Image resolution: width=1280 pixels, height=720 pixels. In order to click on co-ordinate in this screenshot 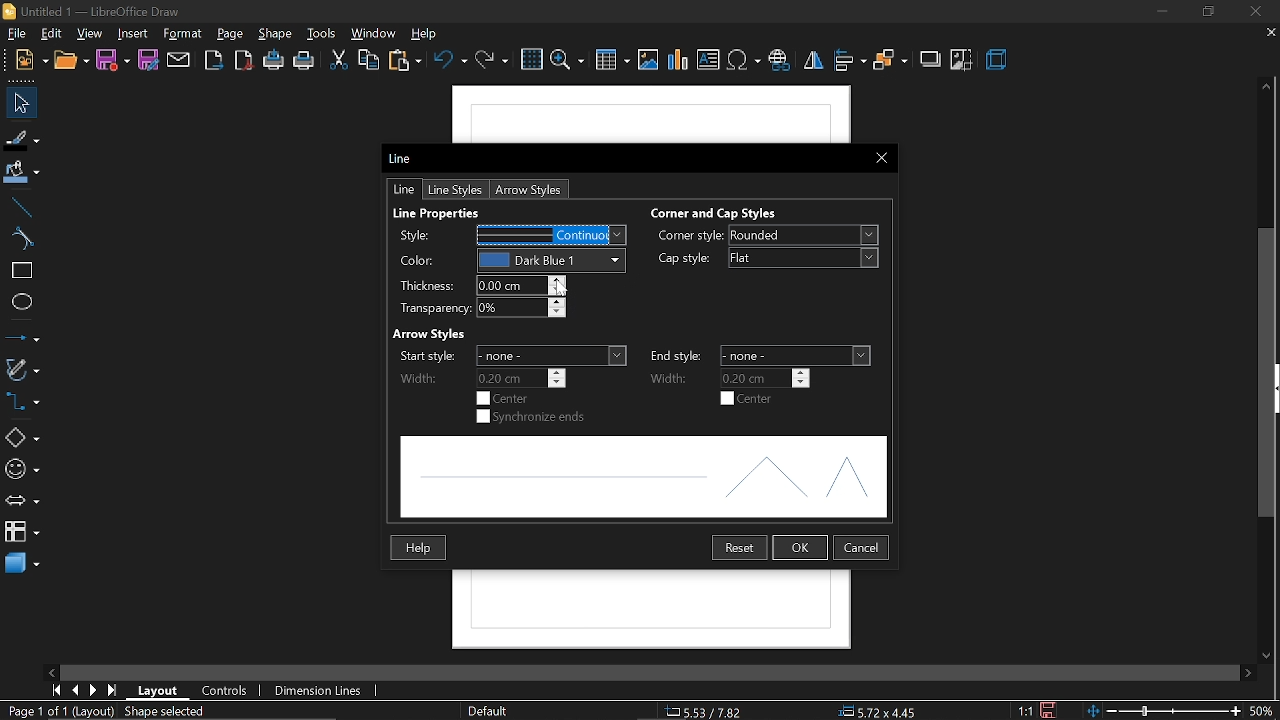, I will do `click(705, 711)`.